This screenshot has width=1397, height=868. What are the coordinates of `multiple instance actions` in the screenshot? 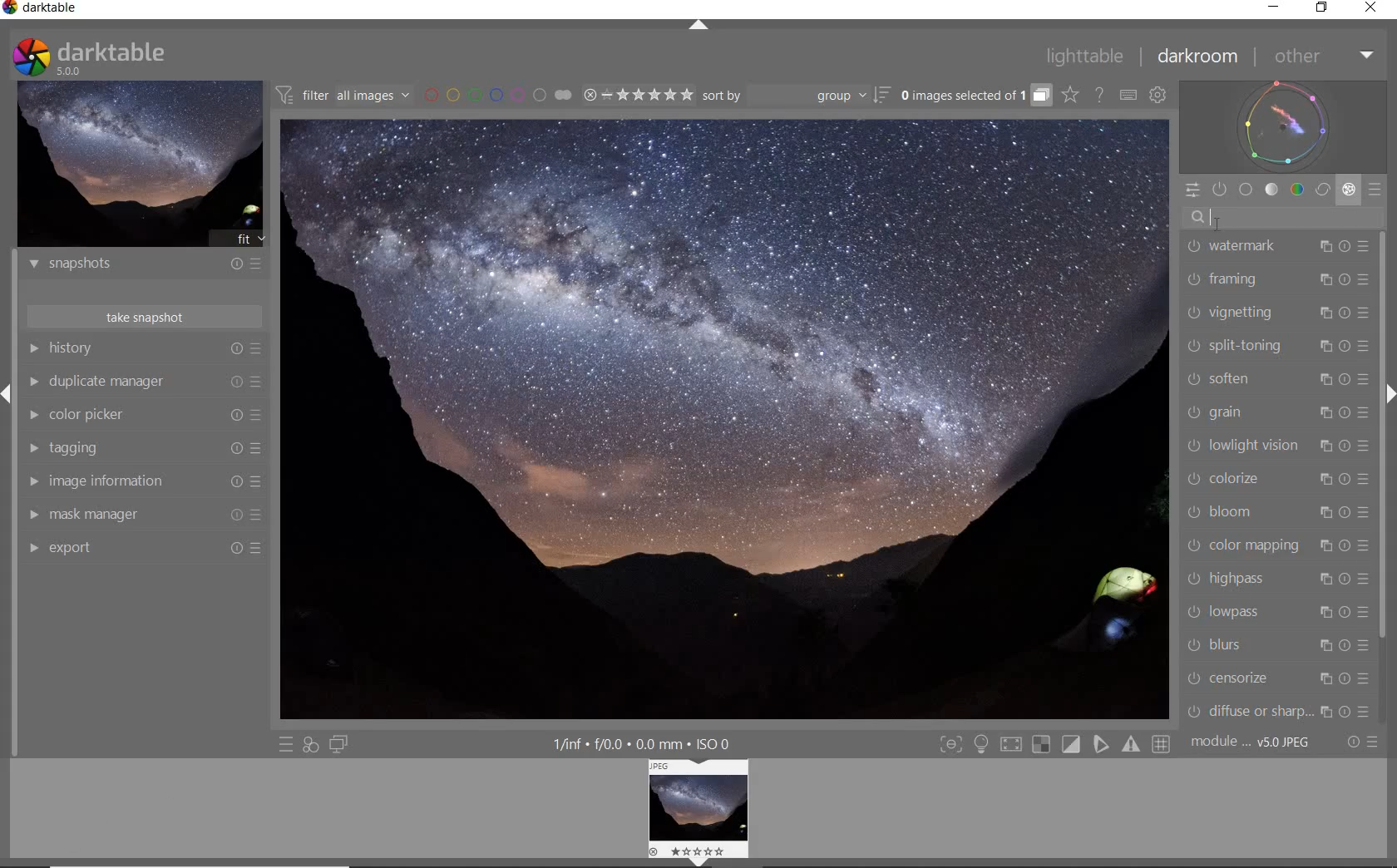 It's located at (1325, 277).